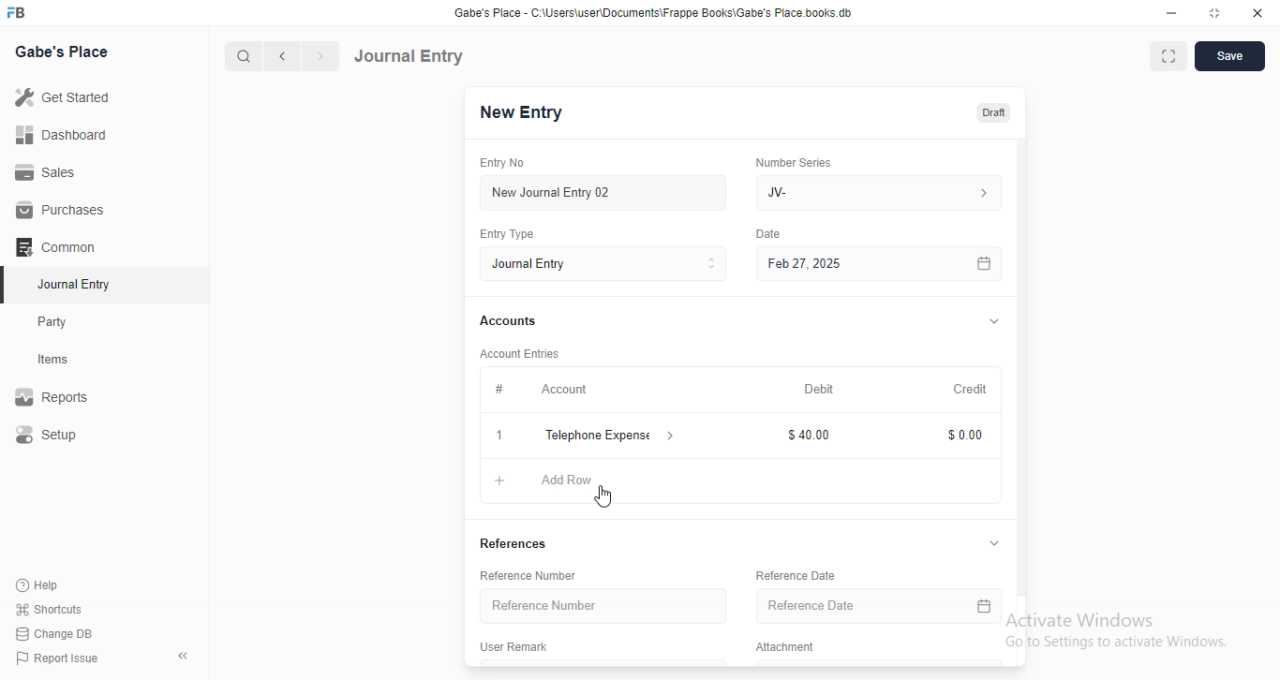  Describe the element at coordinates (54, 322) in the screenshot. I see `Party` at that location.